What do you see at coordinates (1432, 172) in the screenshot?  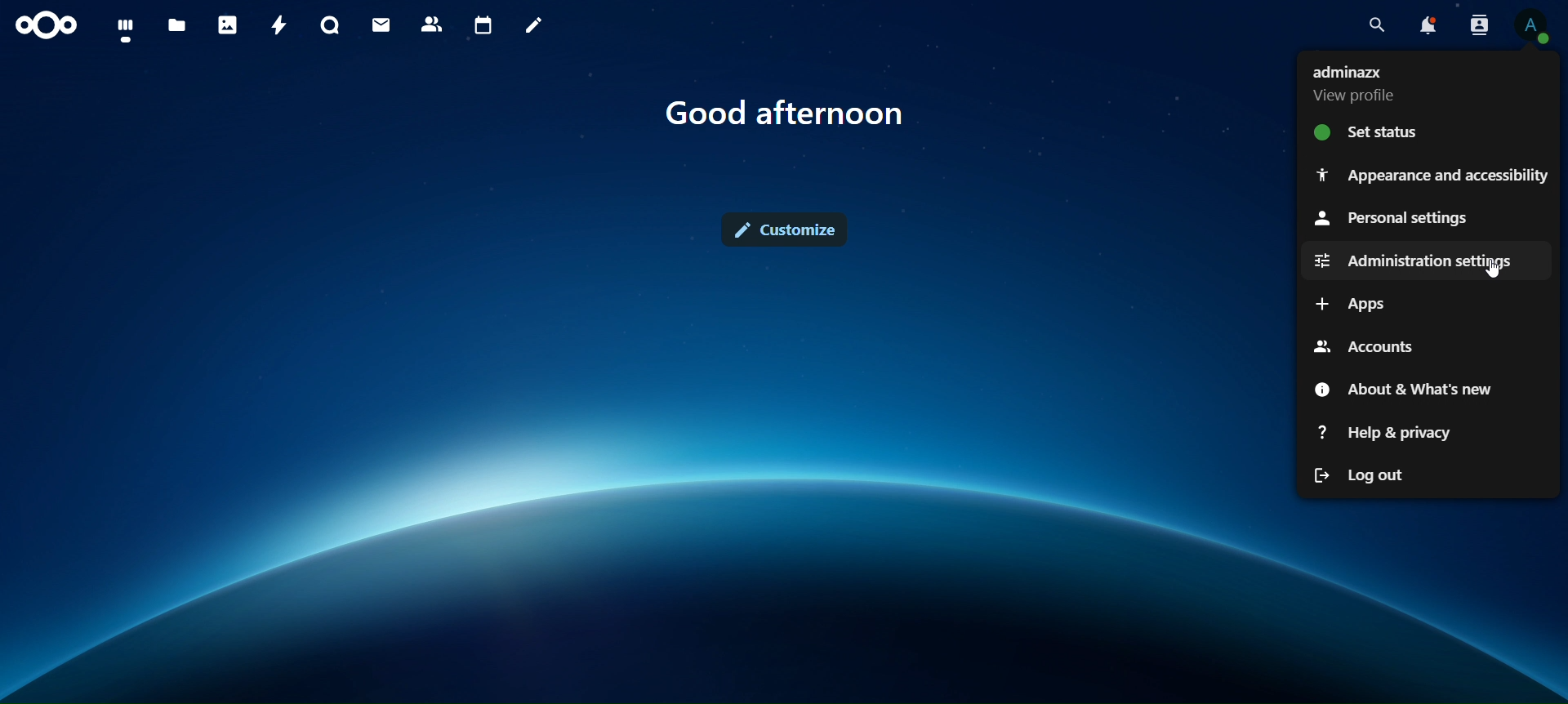 I see `appearance and accessibility` at bounding box center [1432, 172].